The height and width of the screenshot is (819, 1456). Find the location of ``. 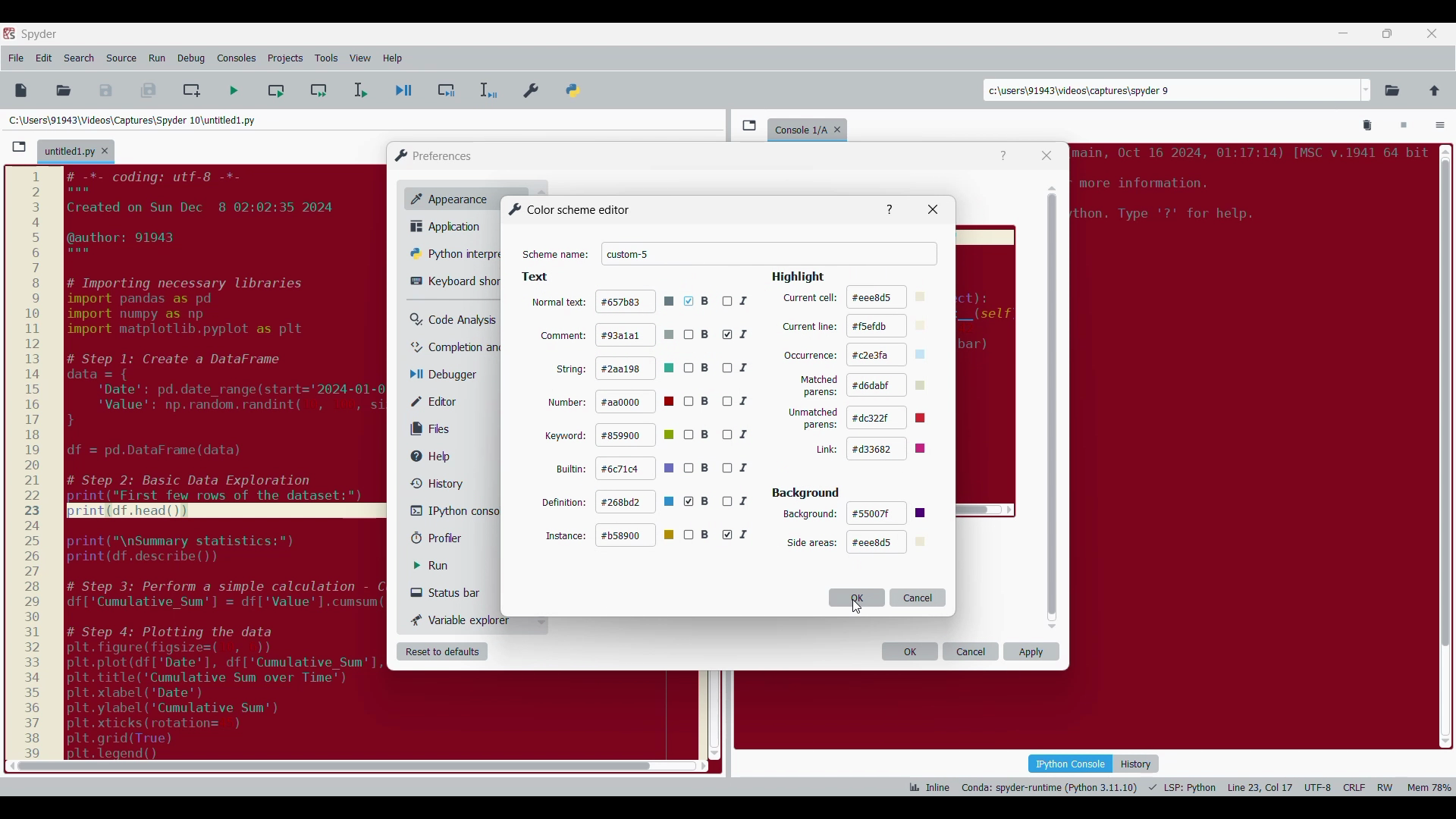

 is located at coordinates (936, 209).